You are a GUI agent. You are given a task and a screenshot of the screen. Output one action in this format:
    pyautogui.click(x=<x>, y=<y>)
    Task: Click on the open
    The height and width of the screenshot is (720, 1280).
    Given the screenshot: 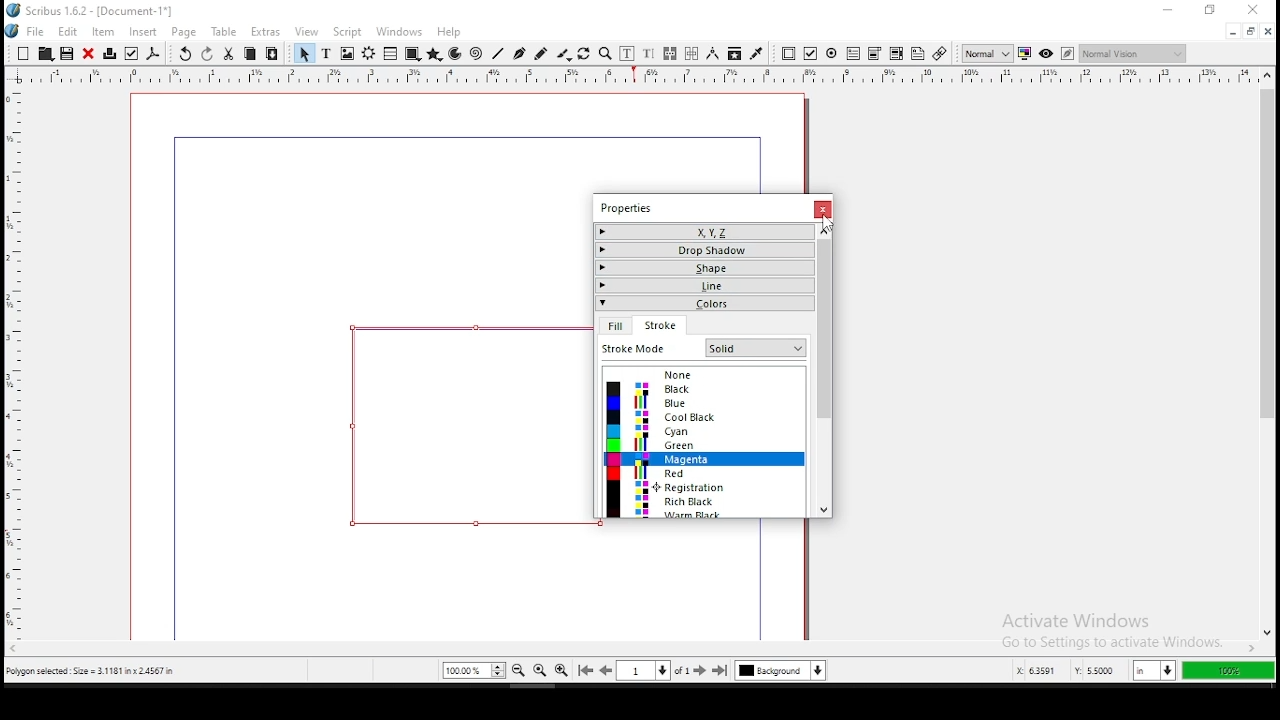 What is the action you would take?
    pyautogui.click(x=44, y=53)
    